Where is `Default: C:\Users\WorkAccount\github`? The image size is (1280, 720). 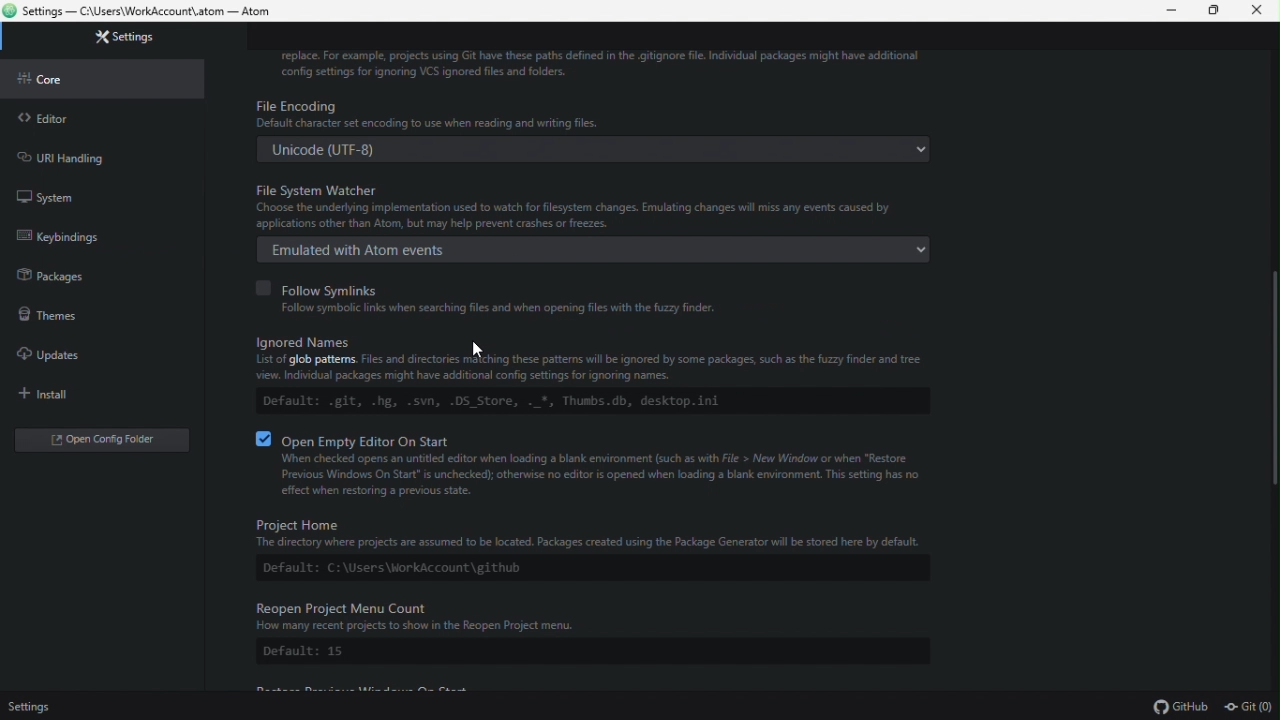 Default: C:\Users\WorkAccount\github is located at coordinates (412, 570).